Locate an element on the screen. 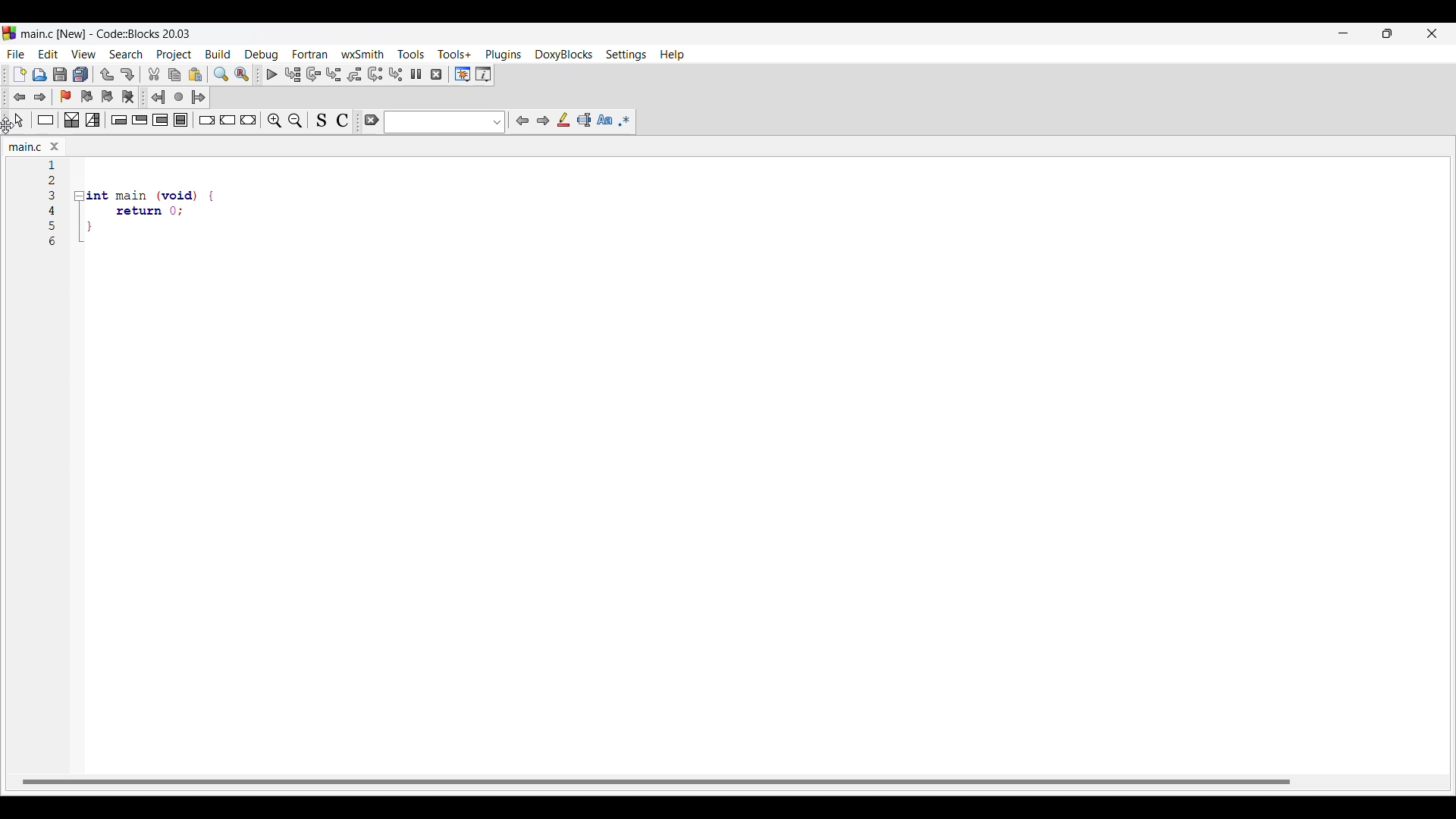 The image size is (1456, 819). Decision is located at coordinates (72, 120).